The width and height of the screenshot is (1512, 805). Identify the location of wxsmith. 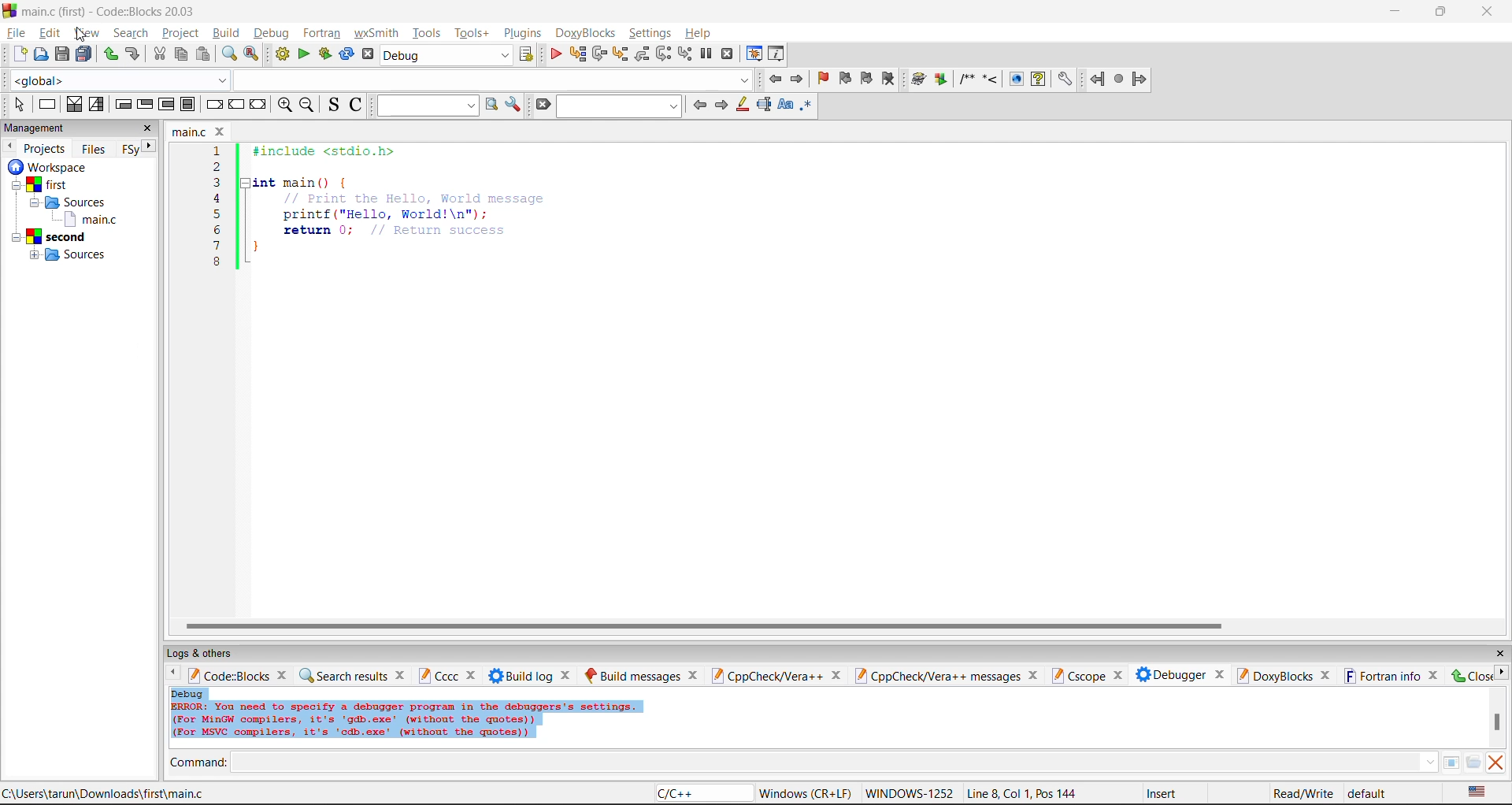
(376, 32).